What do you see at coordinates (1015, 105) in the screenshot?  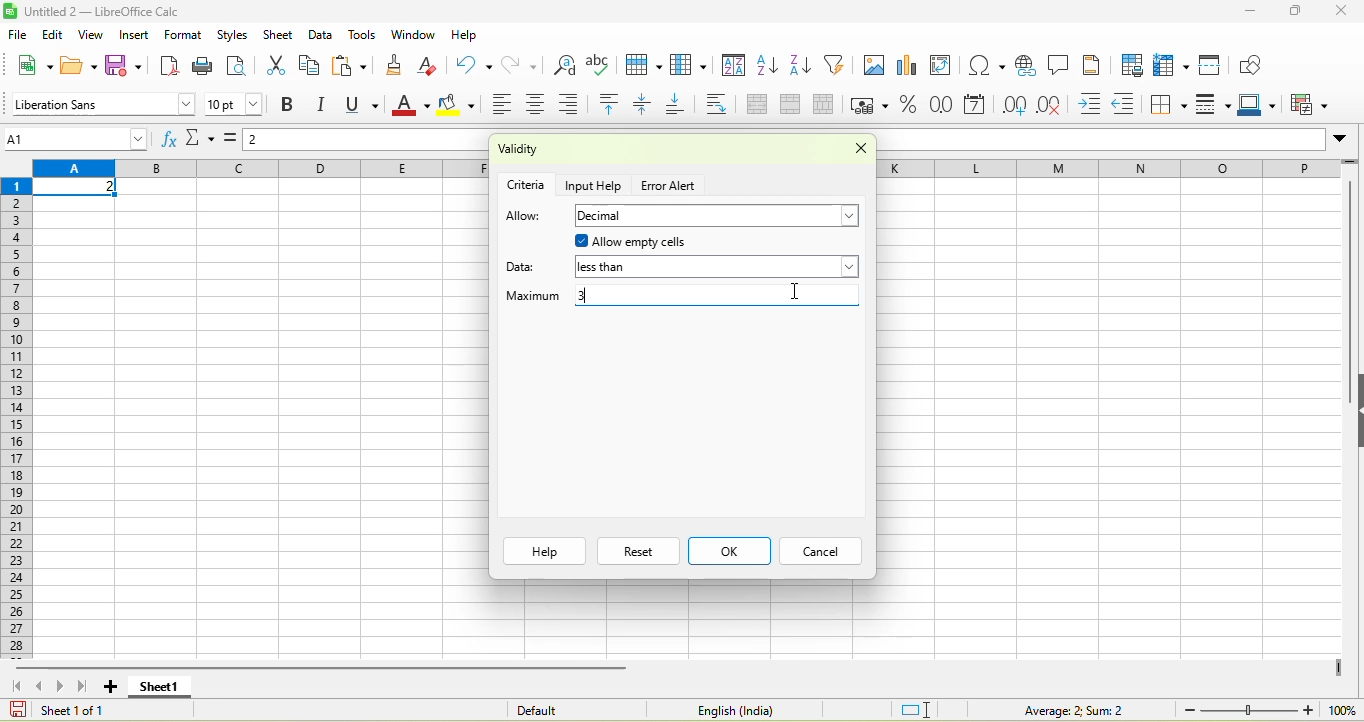 I see `add decimal` at bounding box center [1015, 105].